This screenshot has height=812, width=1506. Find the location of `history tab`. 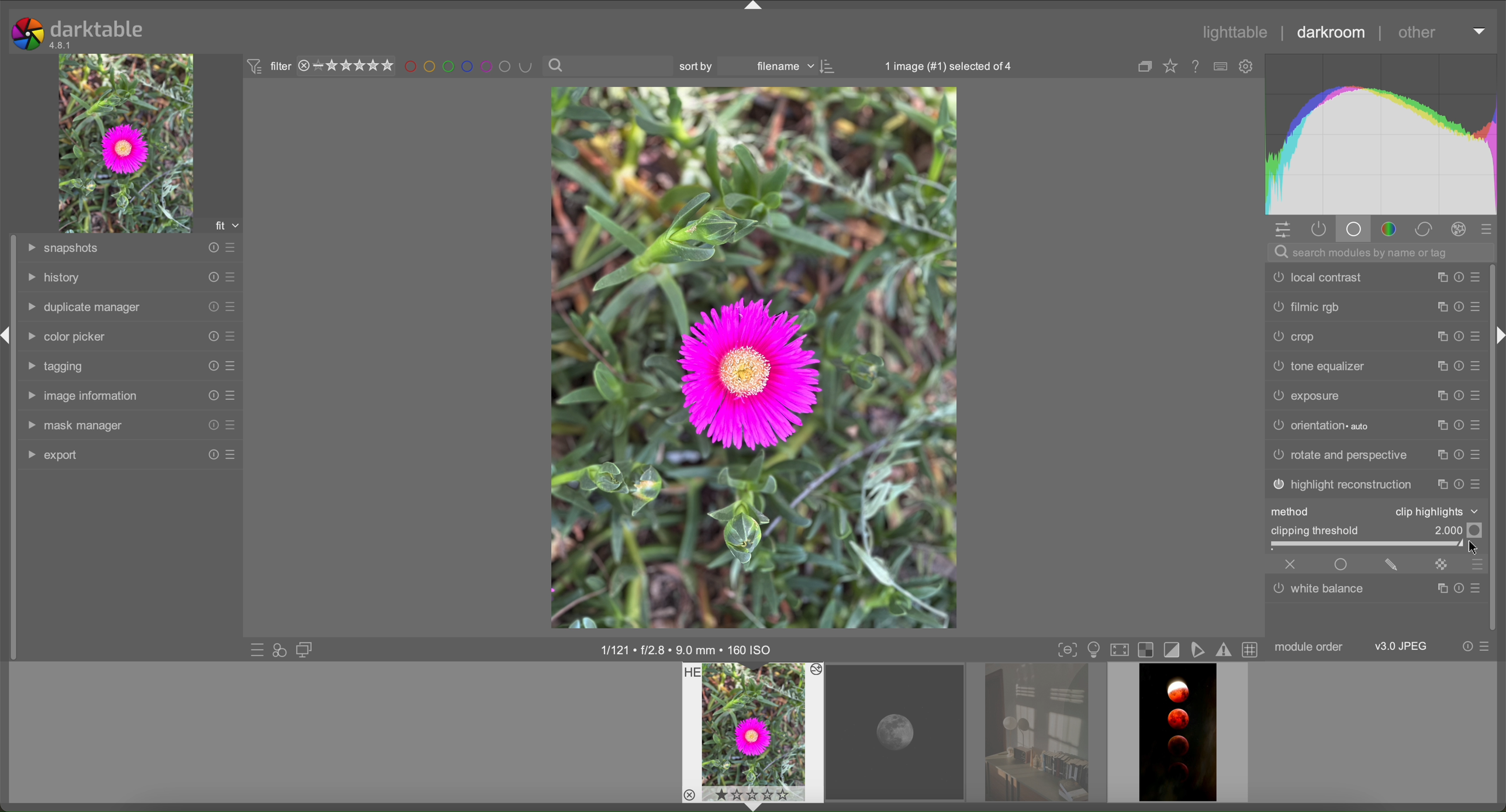

history tab is located at coordinates (54, 278).